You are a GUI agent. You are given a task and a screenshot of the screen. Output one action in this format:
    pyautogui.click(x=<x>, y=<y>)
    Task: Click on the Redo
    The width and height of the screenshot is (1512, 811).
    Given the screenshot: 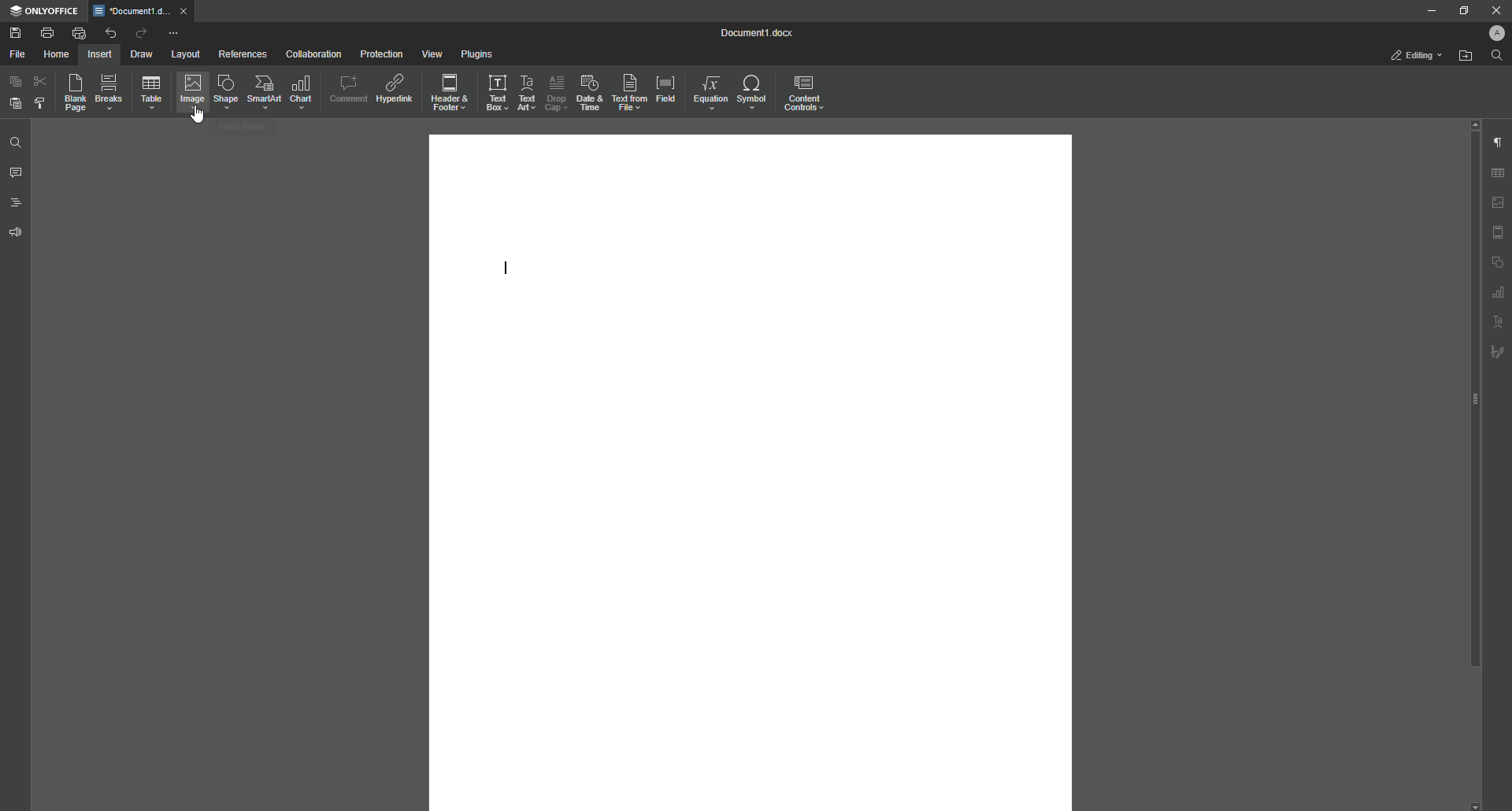 What is the action you would take?
    pyautogui.click(x=141, y=32)
    